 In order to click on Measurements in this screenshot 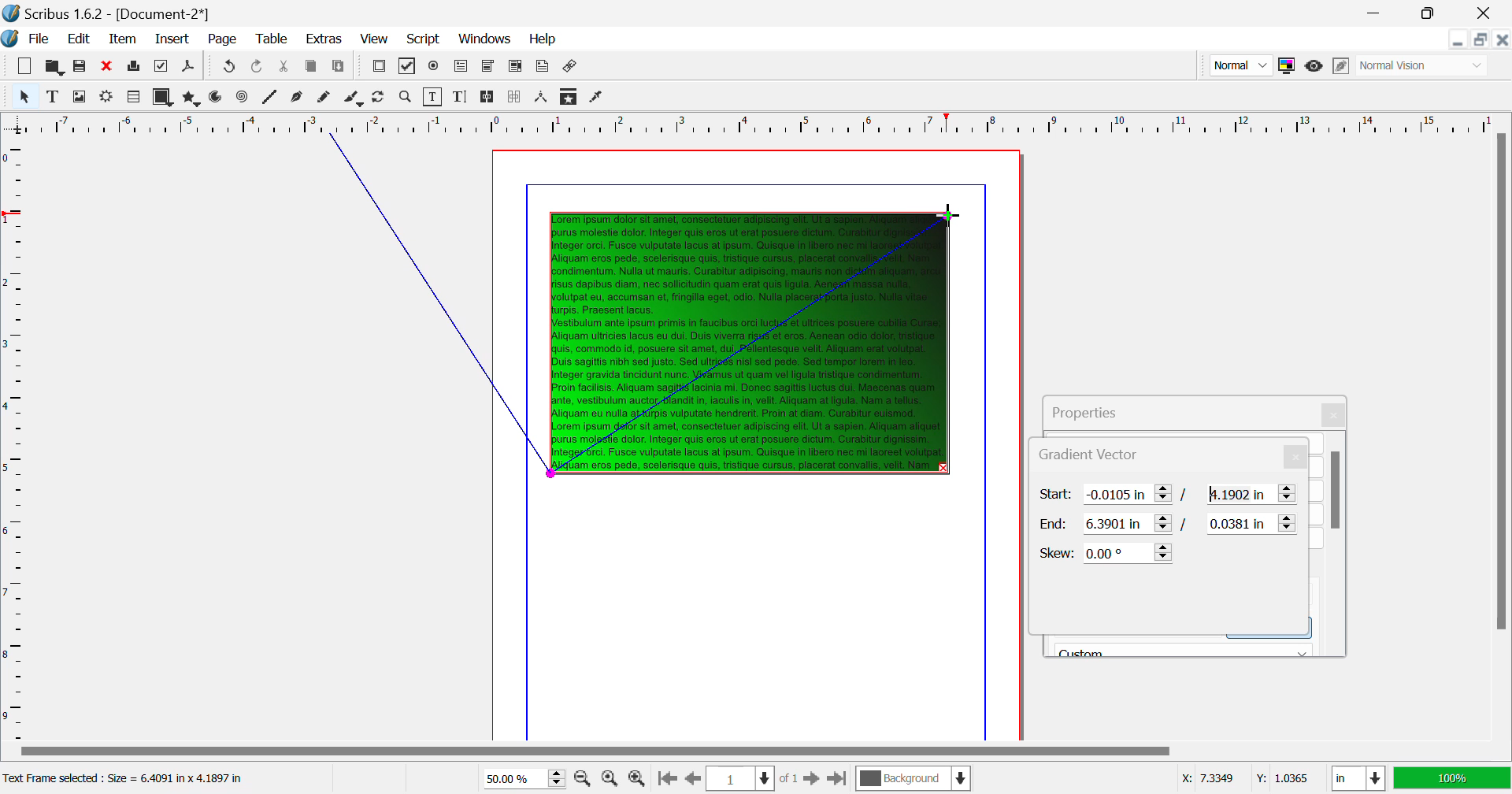, I will do `click(543, 98)`.